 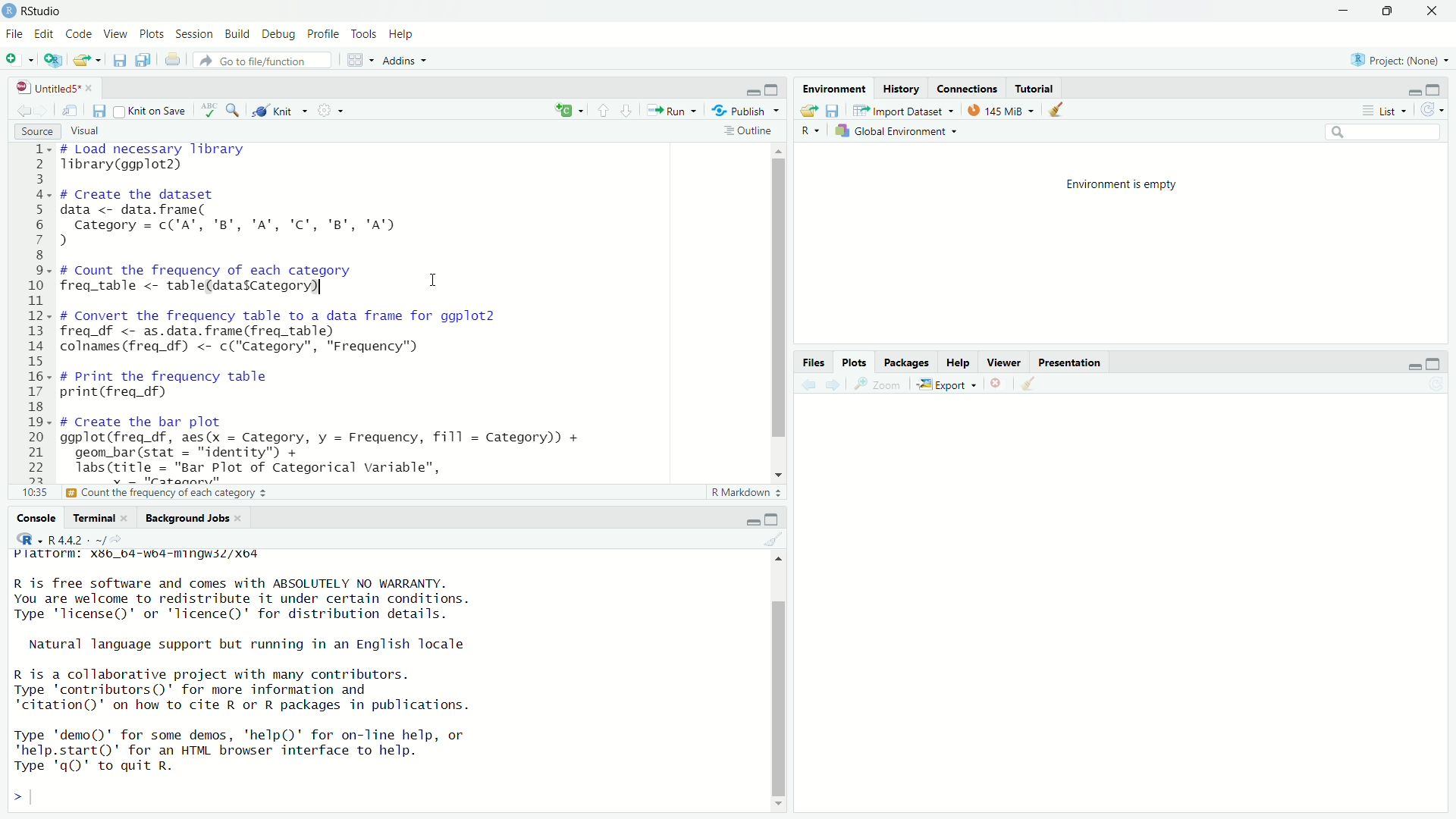 What do you see at coordinates (189, 518) in the screenshot?
I see `Background Jobs` at bounding box center [189, 518].